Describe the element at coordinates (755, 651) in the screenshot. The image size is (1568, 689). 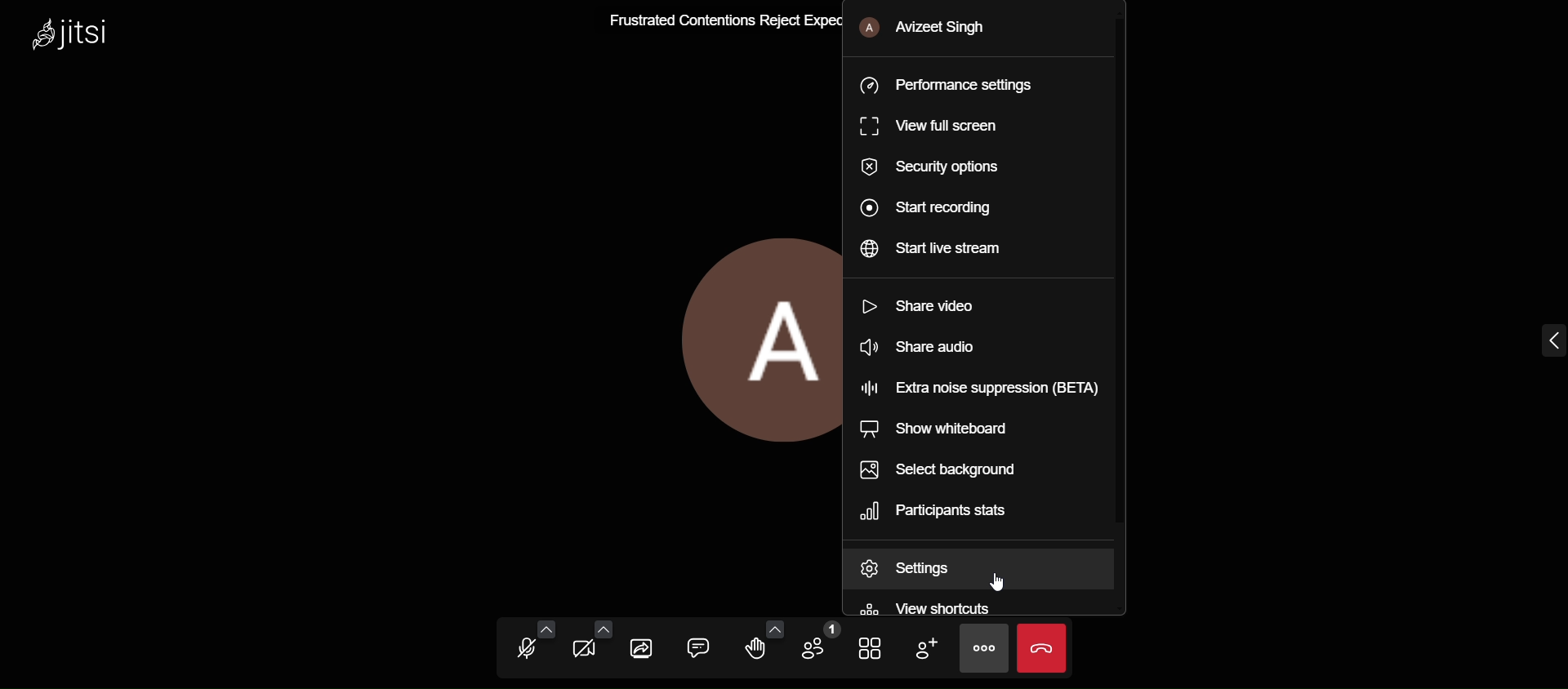
I see `raise your hand` at that location.